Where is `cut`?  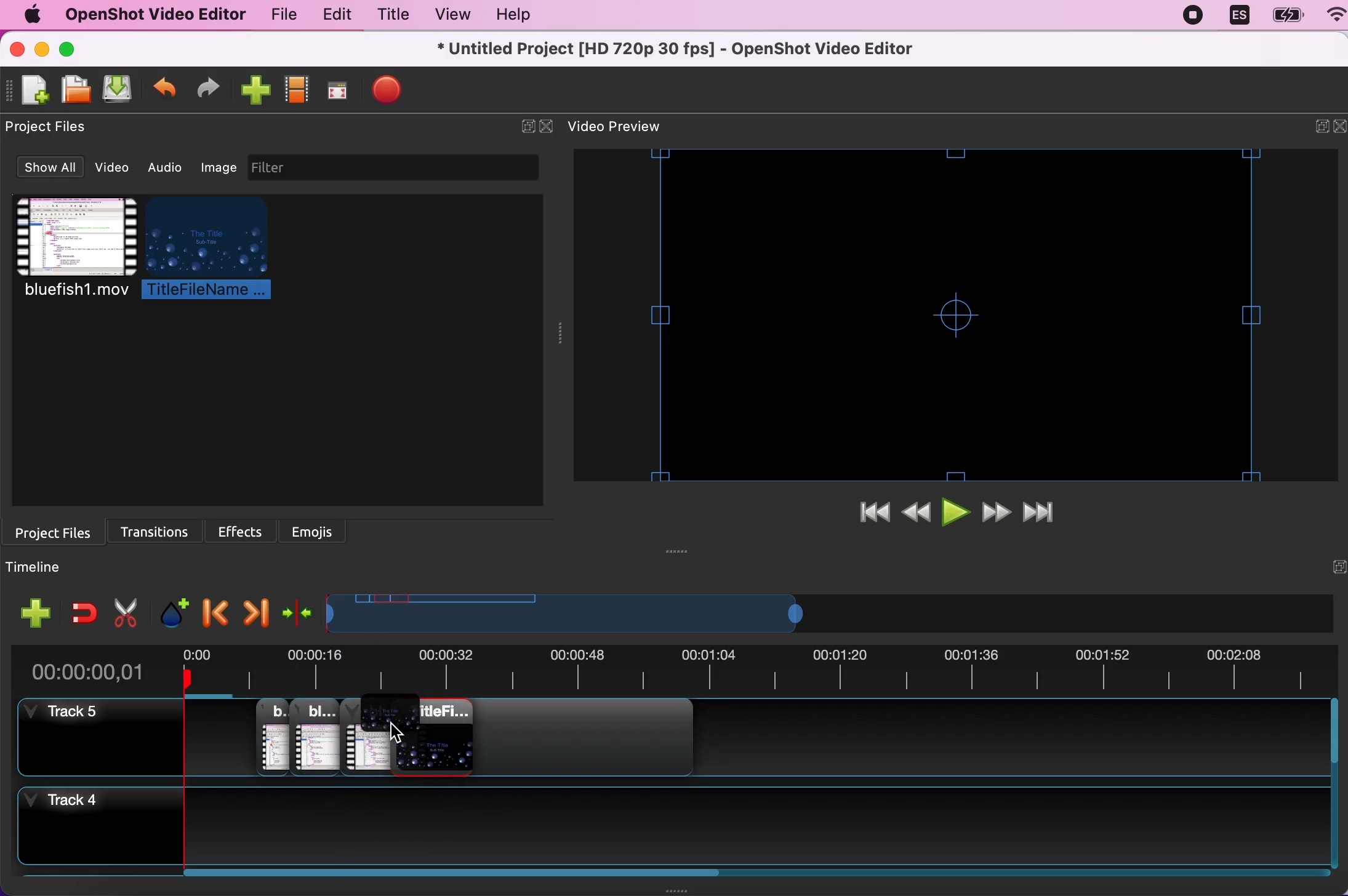
cut is located at coordinates (126, 610).